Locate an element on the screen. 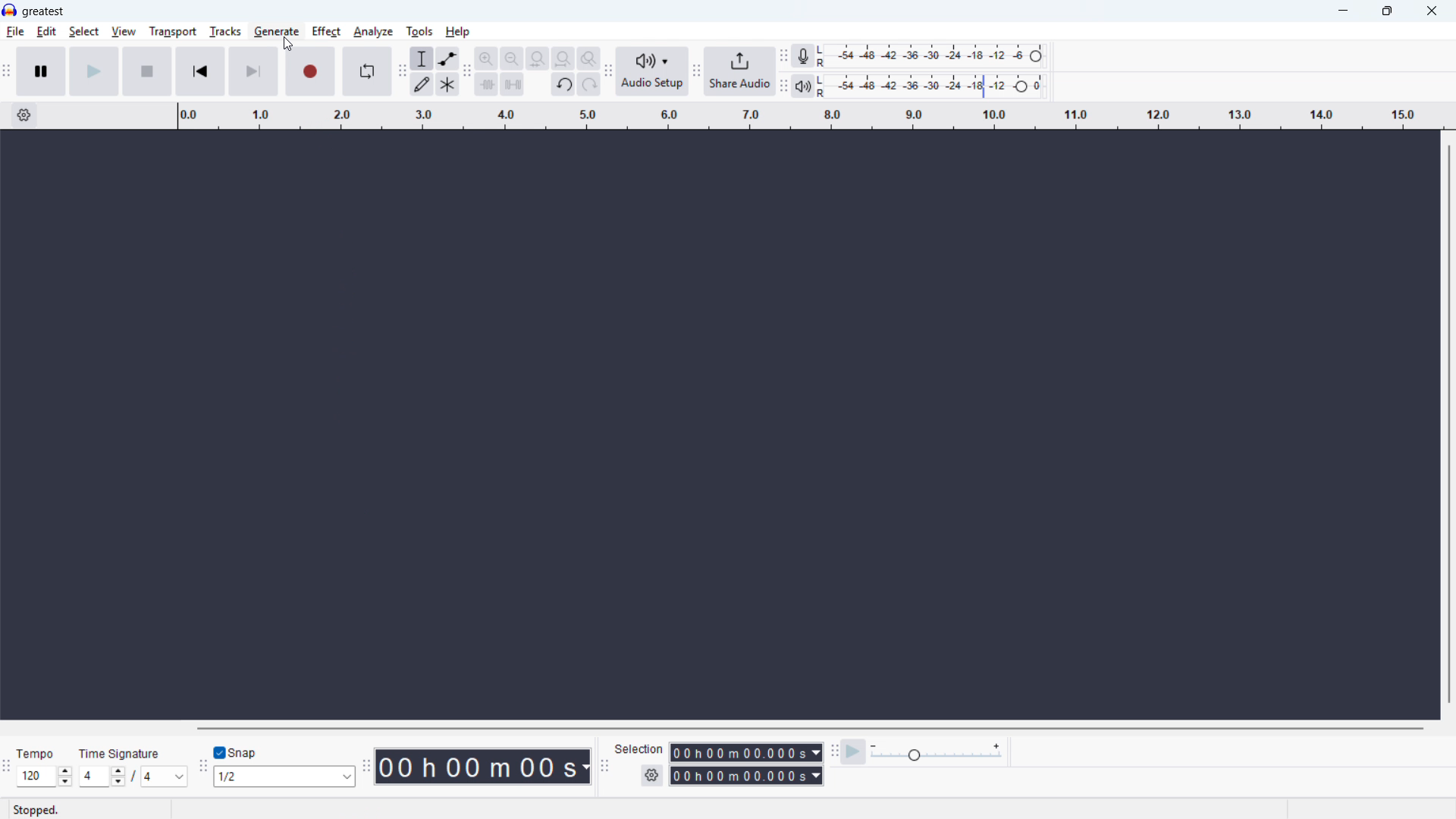  tools is located at coordinates (419, 33).